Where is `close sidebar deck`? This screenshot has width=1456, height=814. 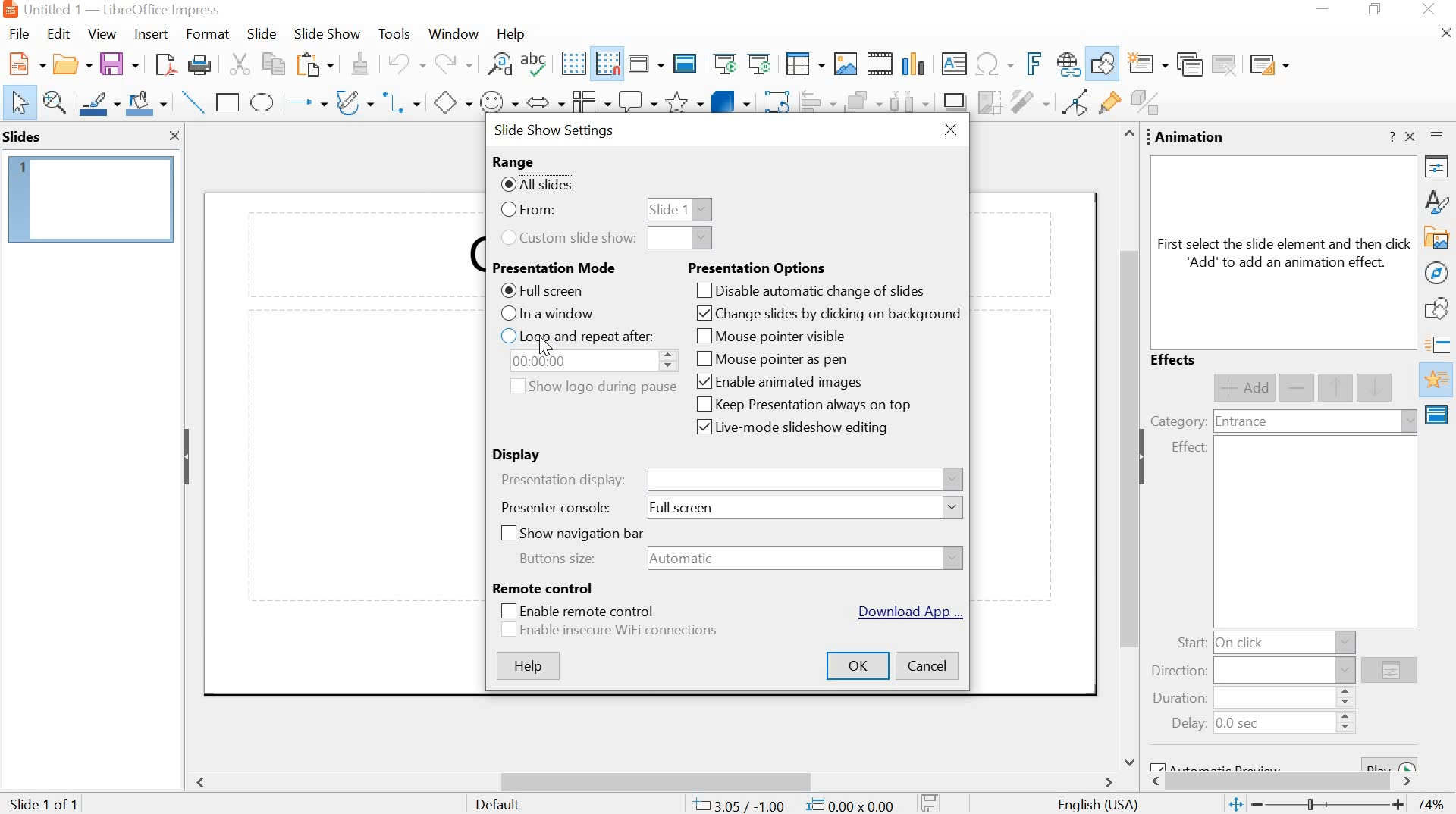
close sidebar deck is located at coordinates (1411, 136).